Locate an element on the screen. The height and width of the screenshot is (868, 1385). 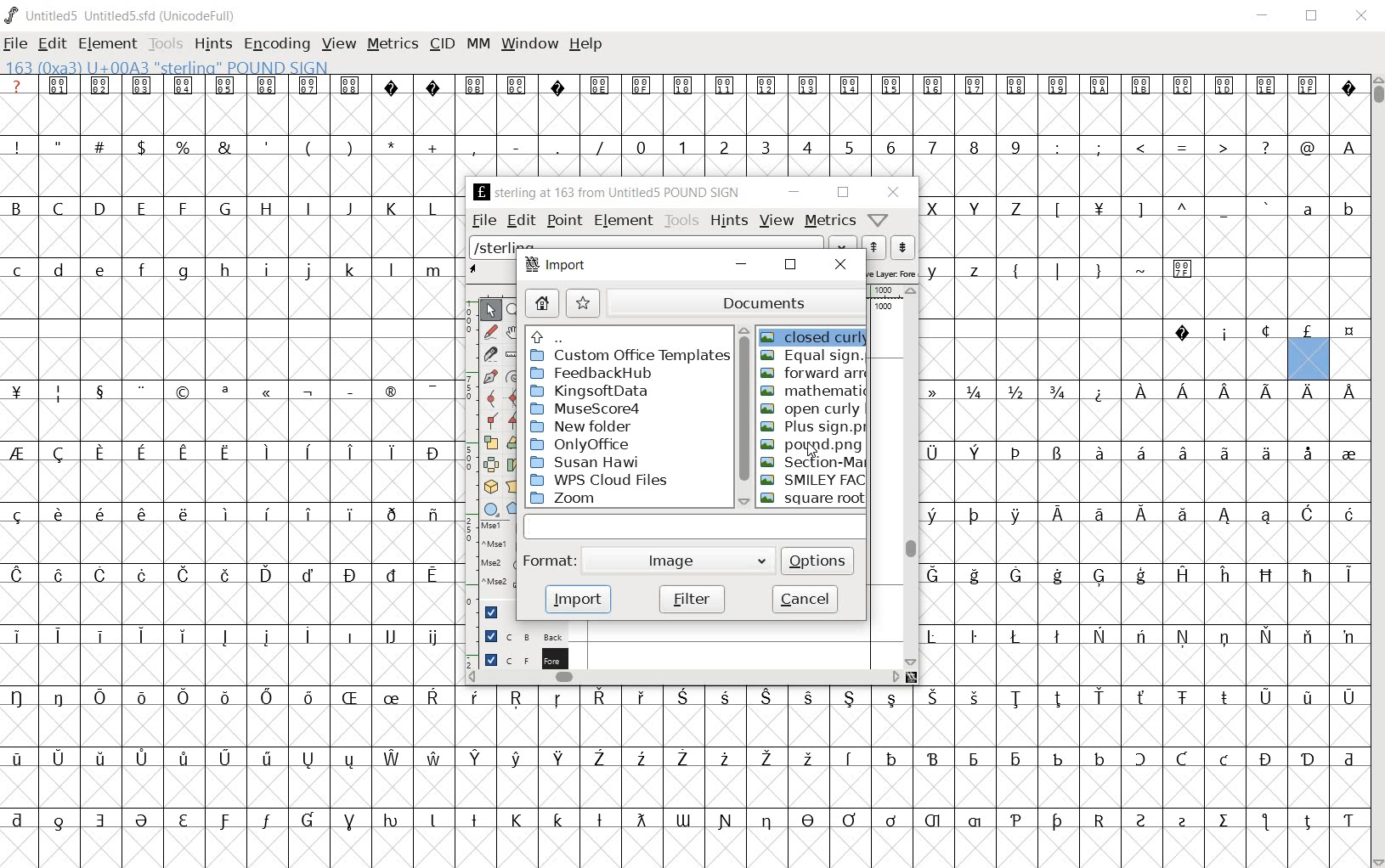
> is located at coordinates (1224, 148).